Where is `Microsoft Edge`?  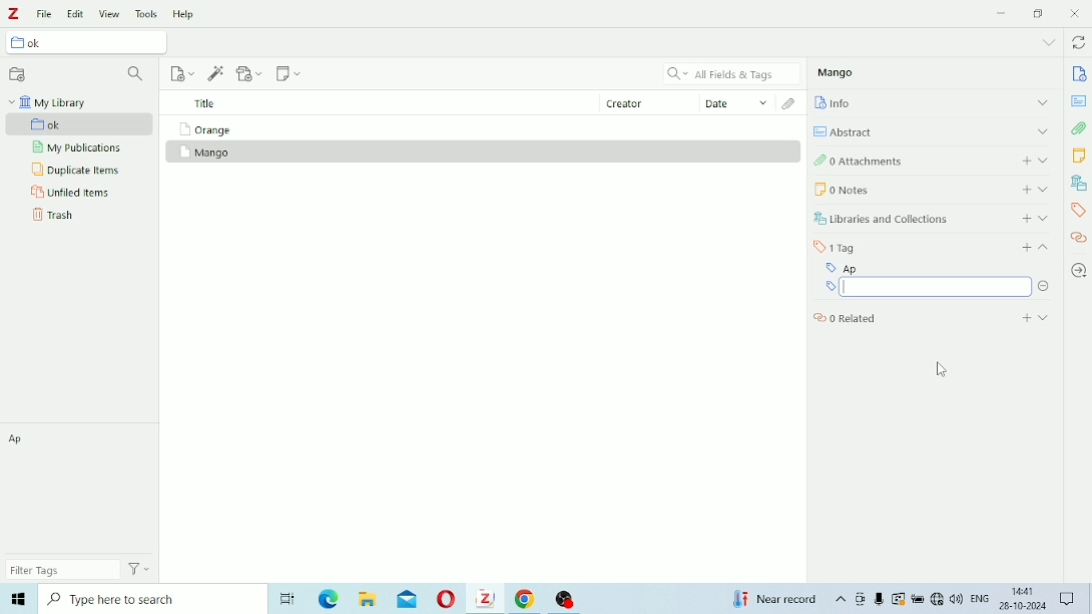 Microsoft Edge is located at coordinates (328, 600).